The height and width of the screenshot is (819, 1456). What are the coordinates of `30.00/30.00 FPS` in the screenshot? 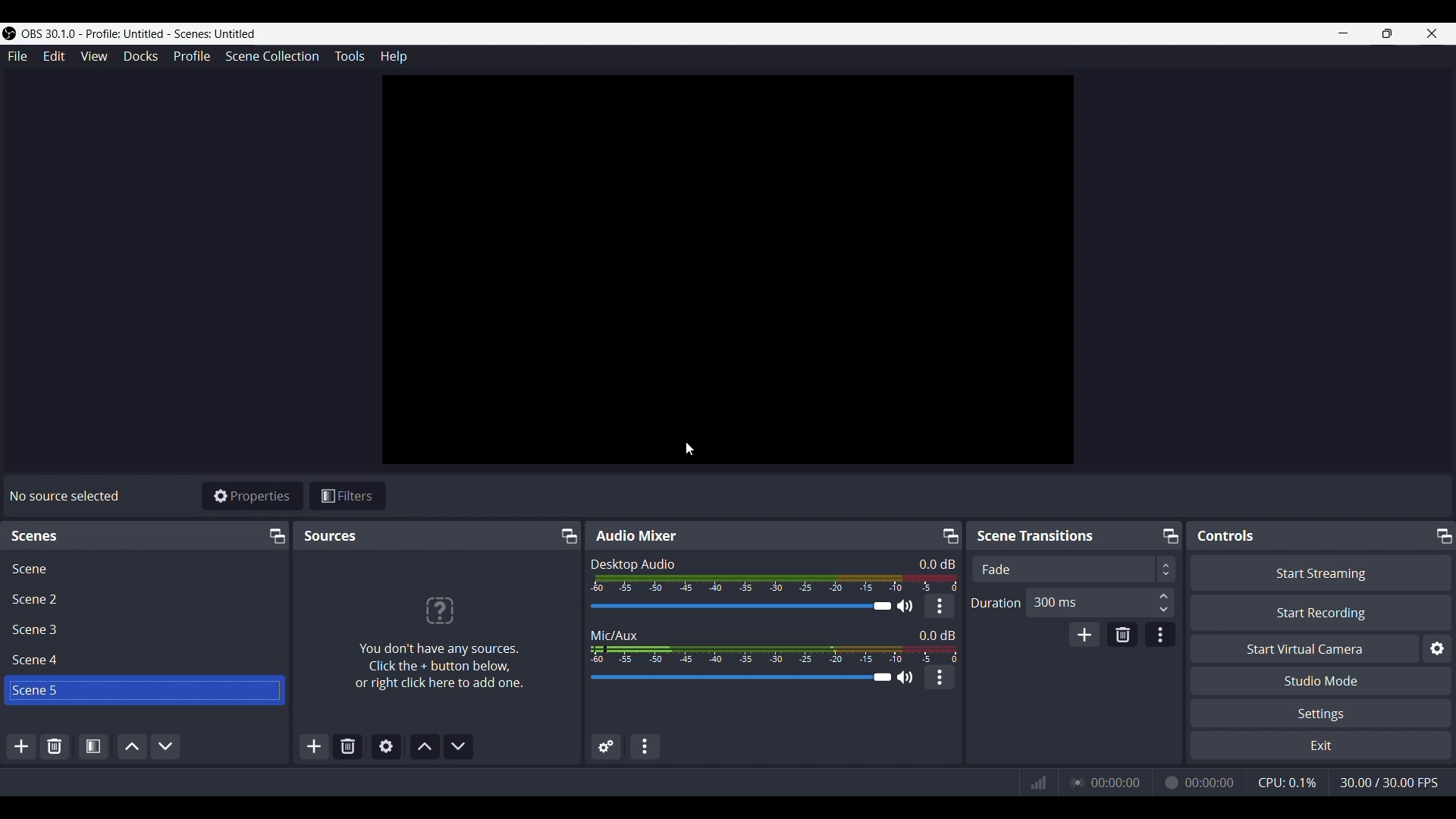 It's located at (1395, 784).